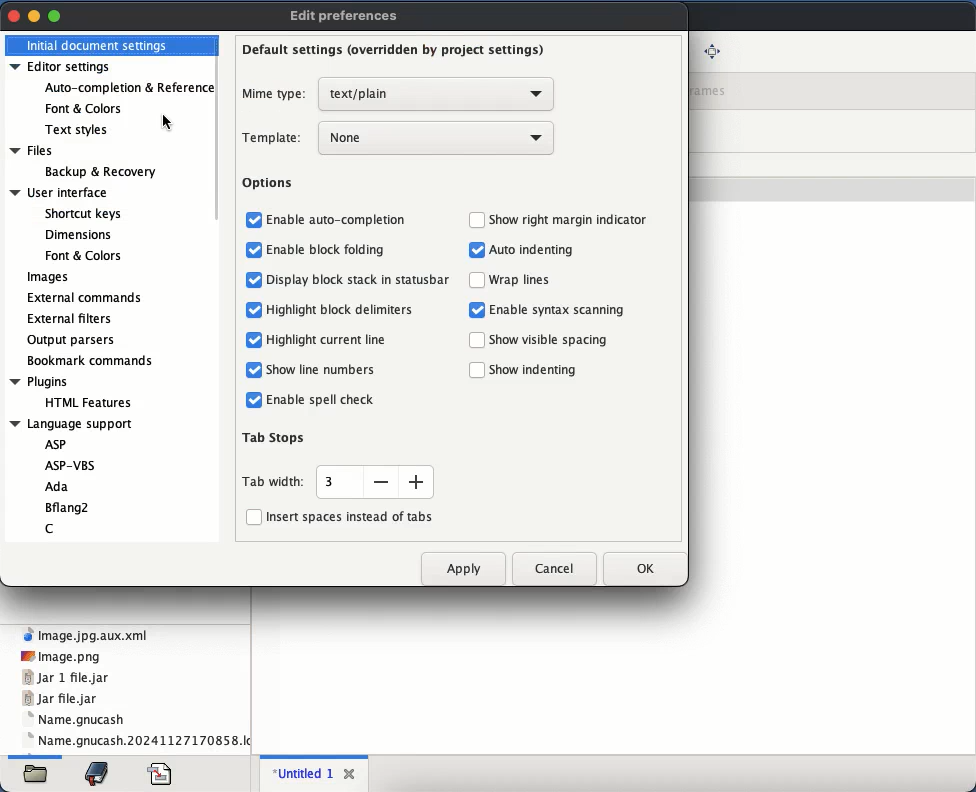  What do you see at coordinates (340, 220) in the screenshot?
I see `enable auto-completion` at bounding box center [340, 220].